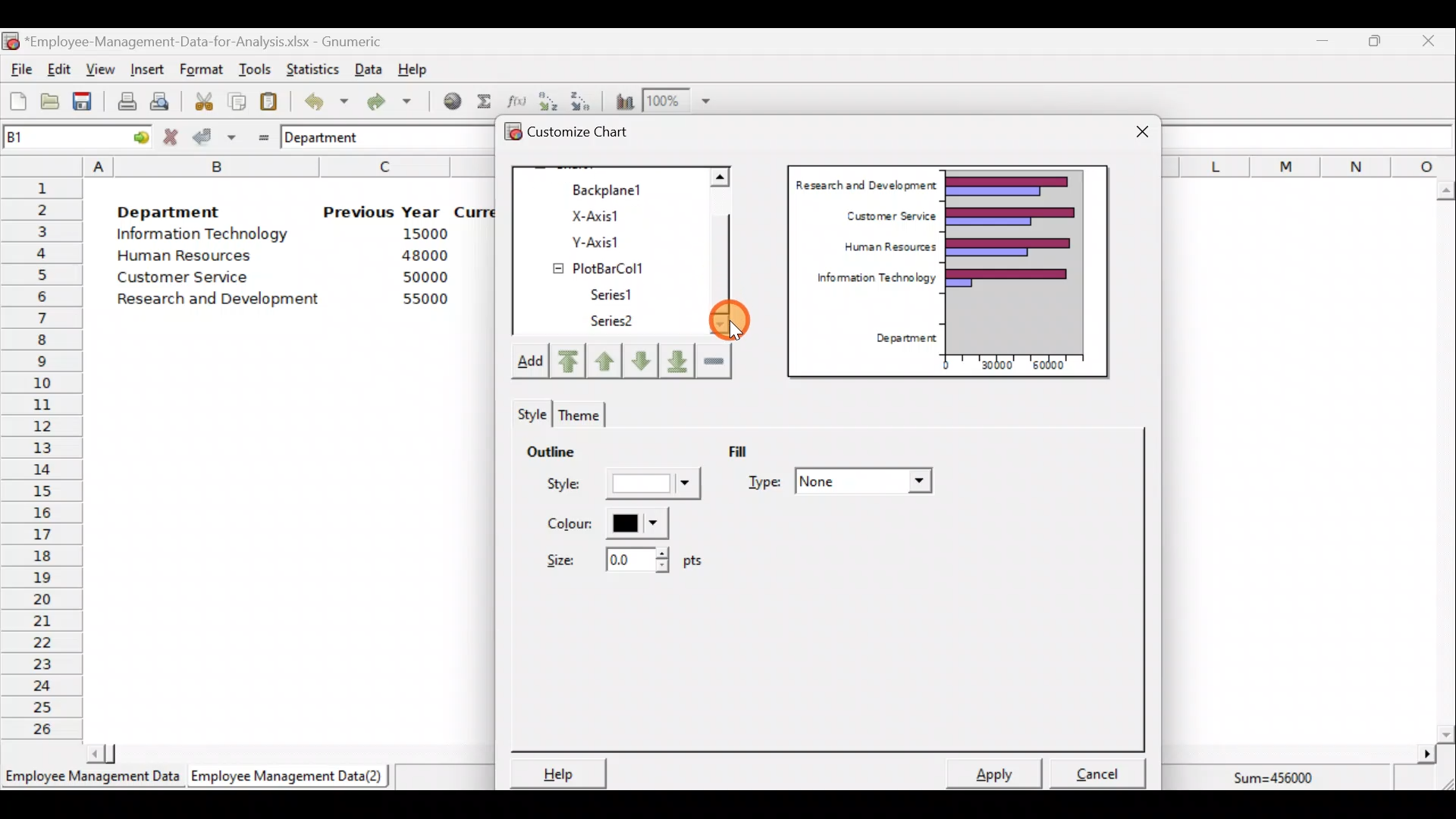  Describe the element at coordinates (369, 69) in the screenshot. I see `Data` at that location.